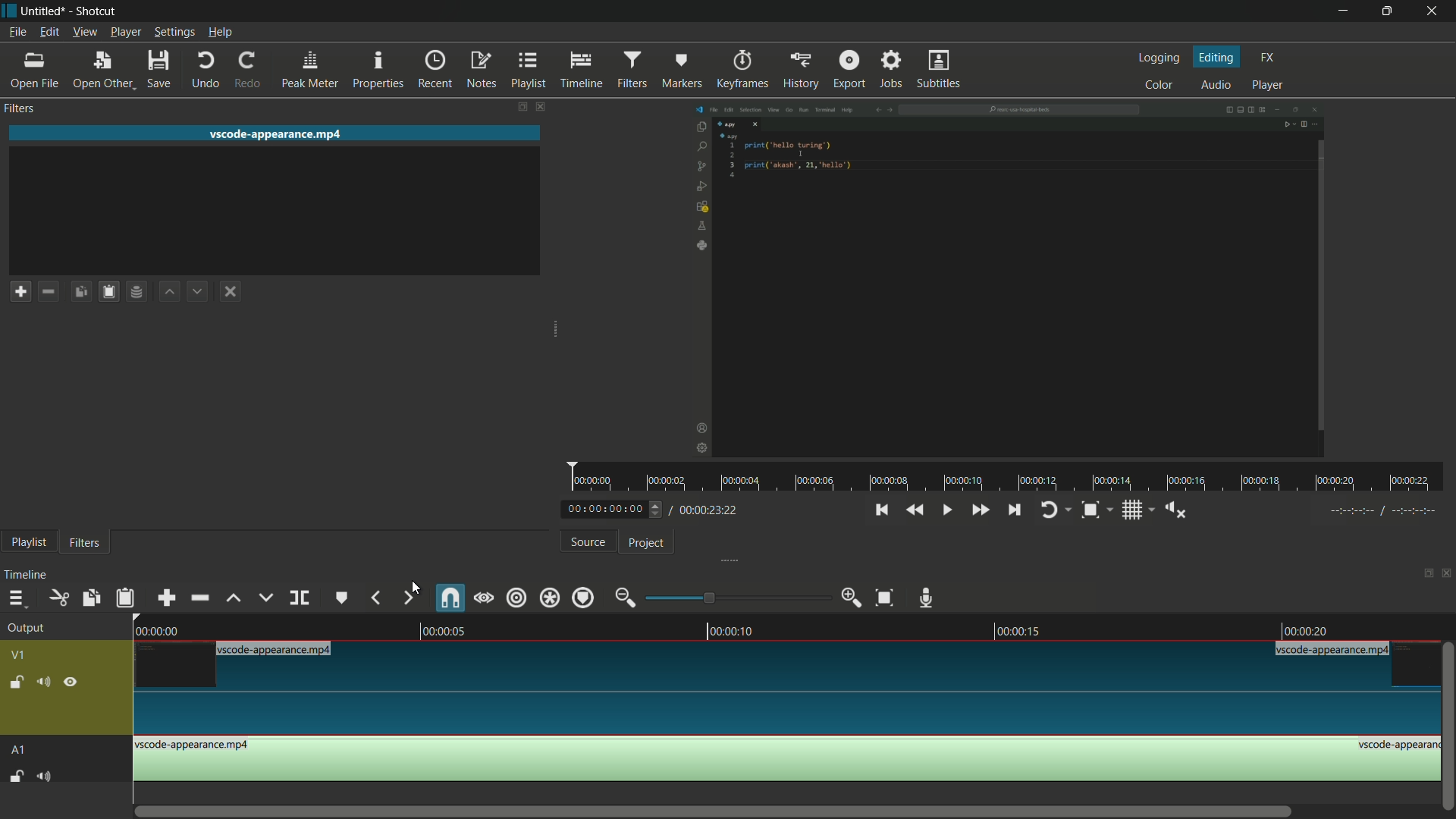 Image resolution: width=1456 pixels, height=819 pixels. What do you see at coordinates (803, 71) in the screenshot?
I see `history` at bounding box center [803, 71].